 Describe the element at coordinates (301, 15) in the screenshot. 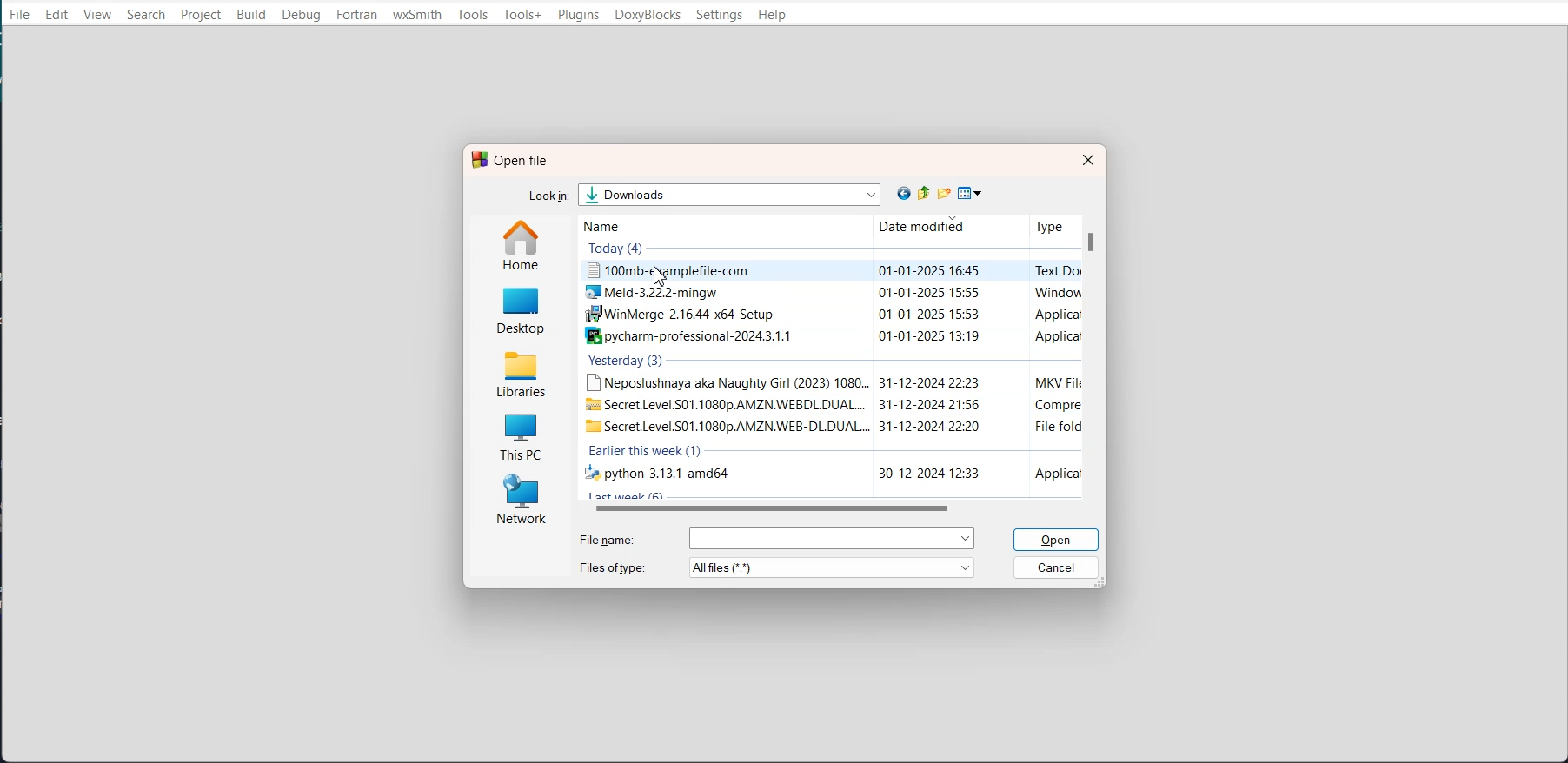

I see `Debug` at that location.